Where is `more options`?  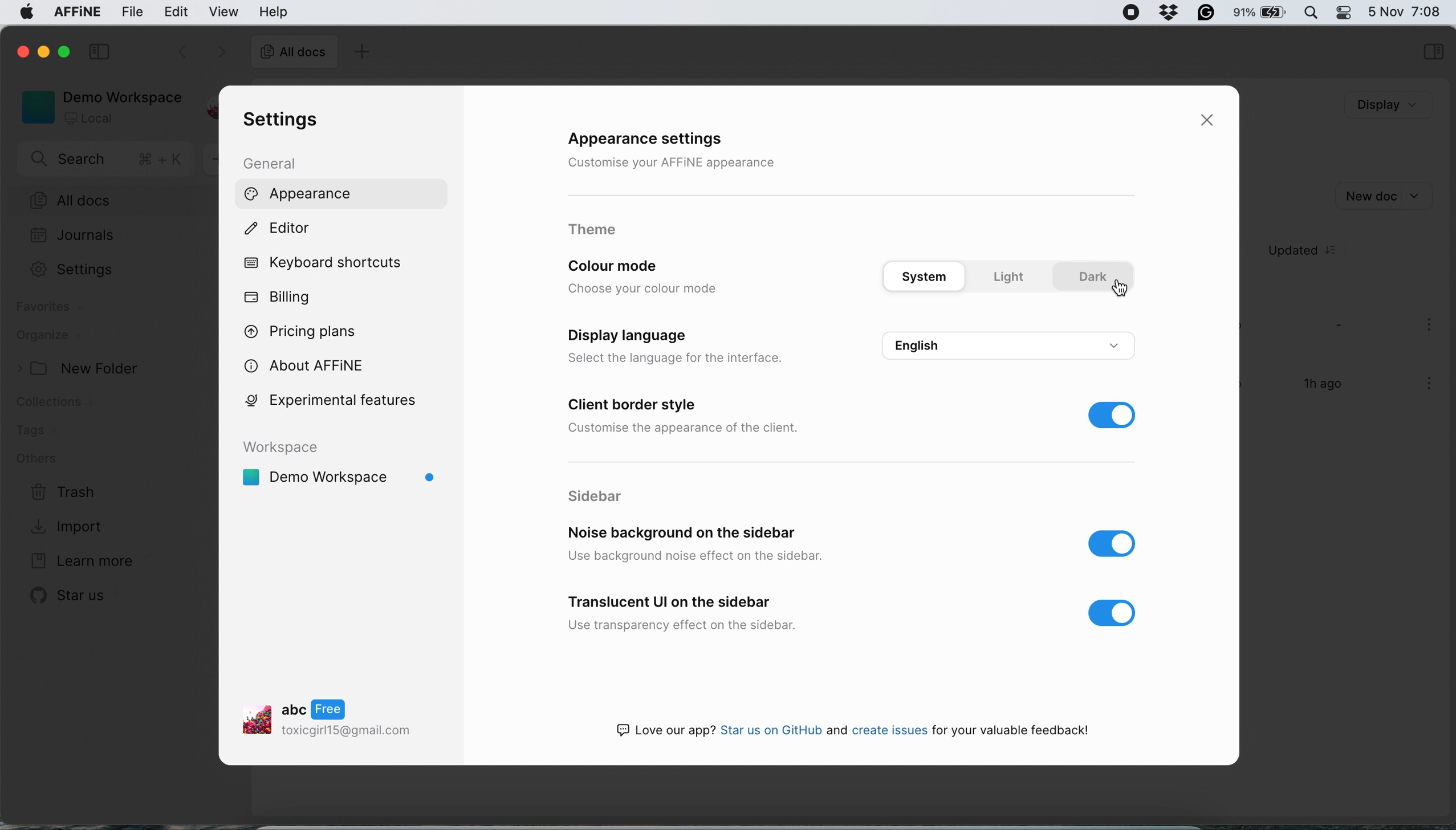 more options is located at coordinates (1424, 386).